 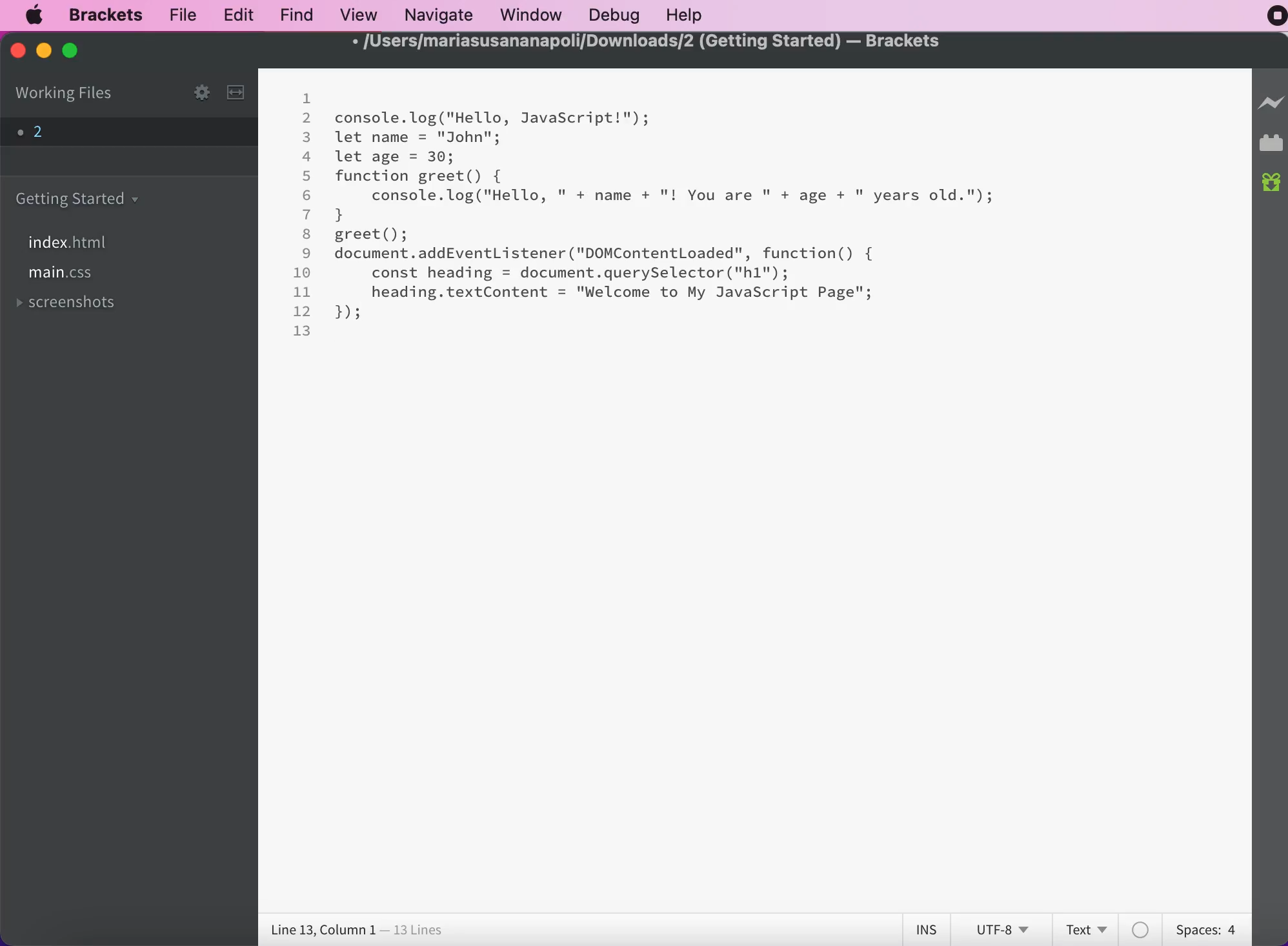 What do you see at coordinates (38, 134) in the screenshot?
I see `file 2` at bounding box center [38, 134].